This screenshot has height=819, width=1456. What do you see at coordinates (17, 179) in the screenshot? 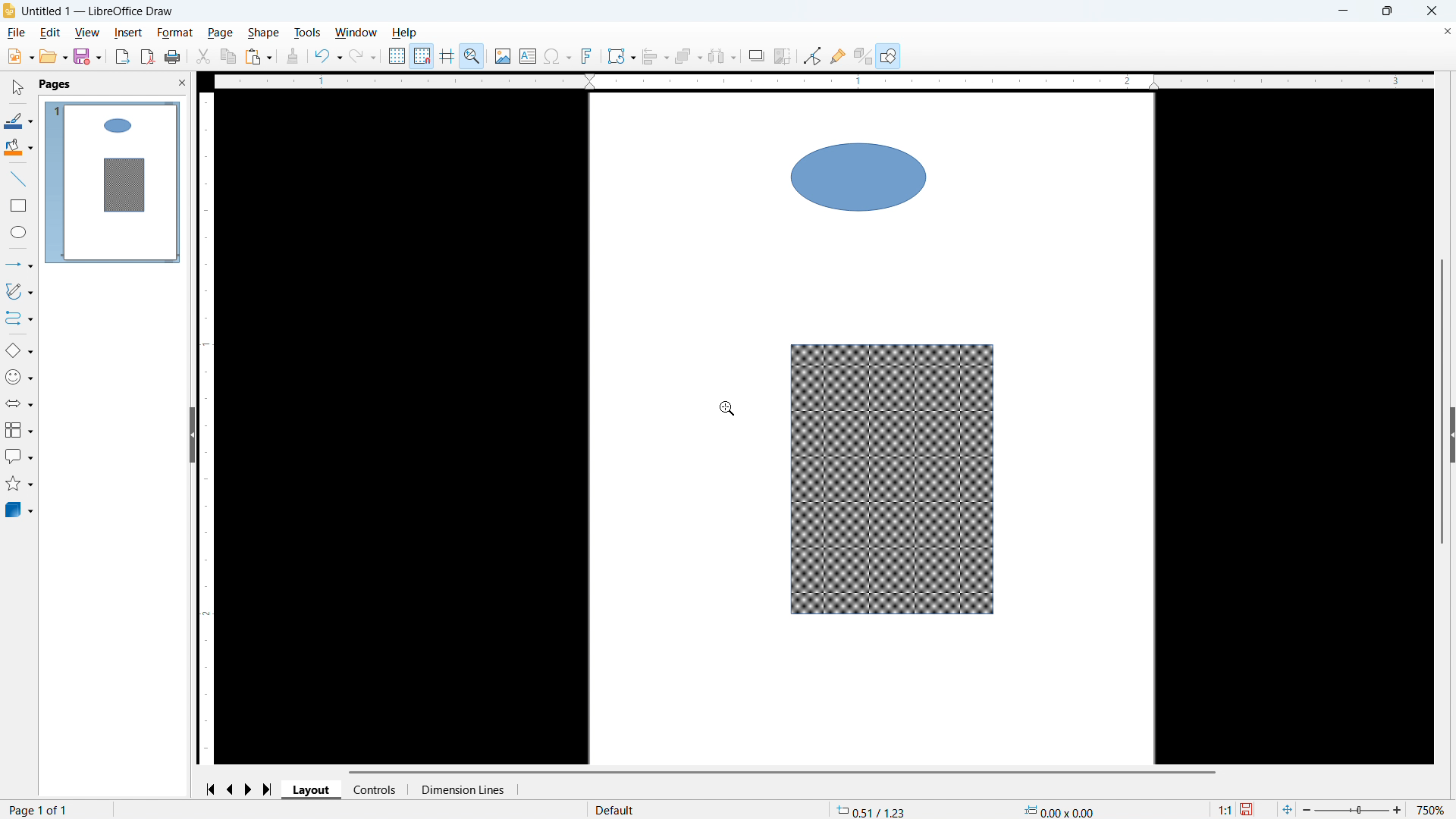
I see `line` at bounding box center [17, 179].